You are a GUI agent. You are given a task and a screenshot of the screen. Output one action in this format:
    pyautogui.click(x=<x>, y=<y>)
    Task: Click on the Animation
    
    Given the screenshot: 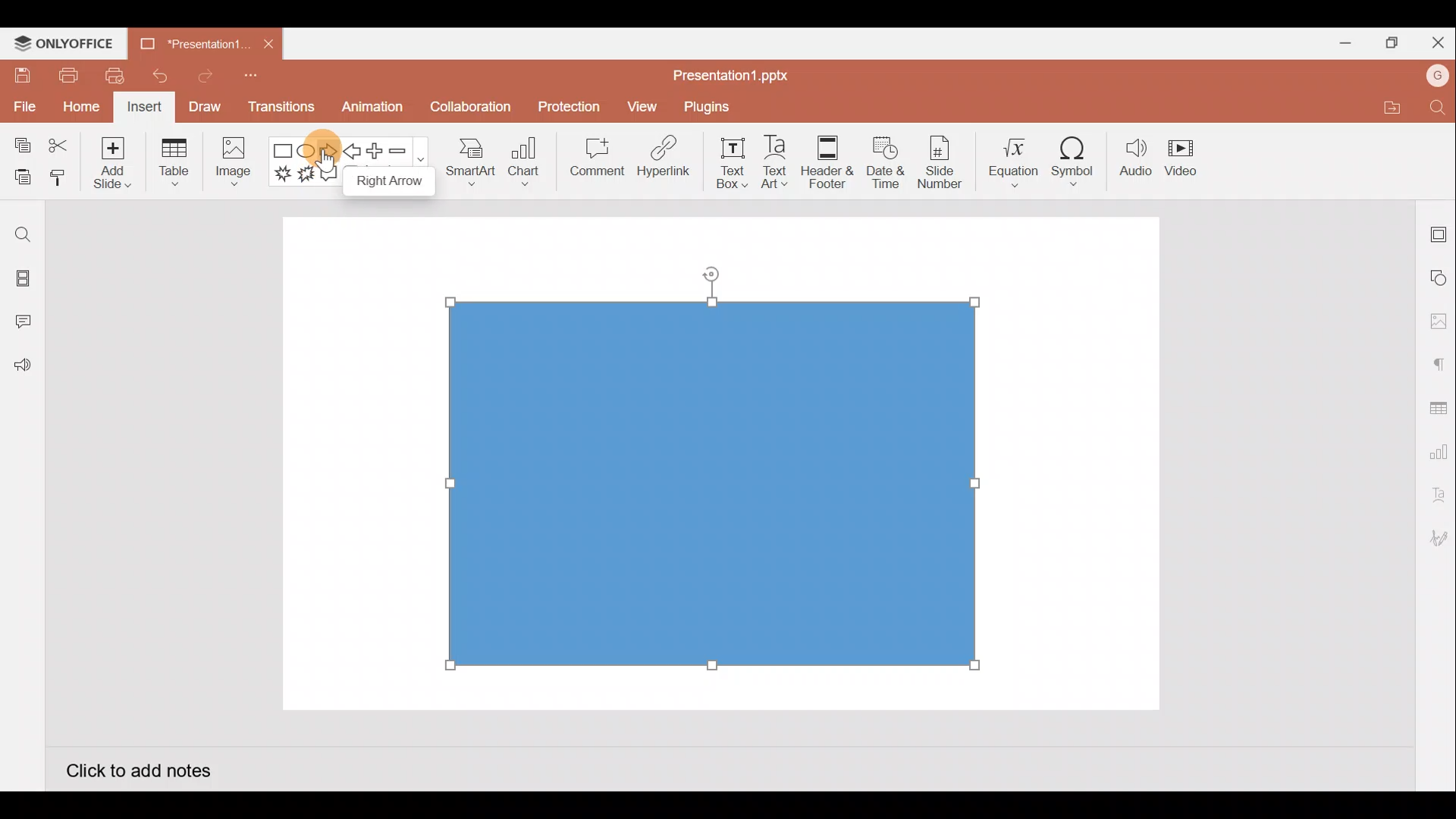 What is the action you would take?
    pyautogui.click(x=374, y=111)
    